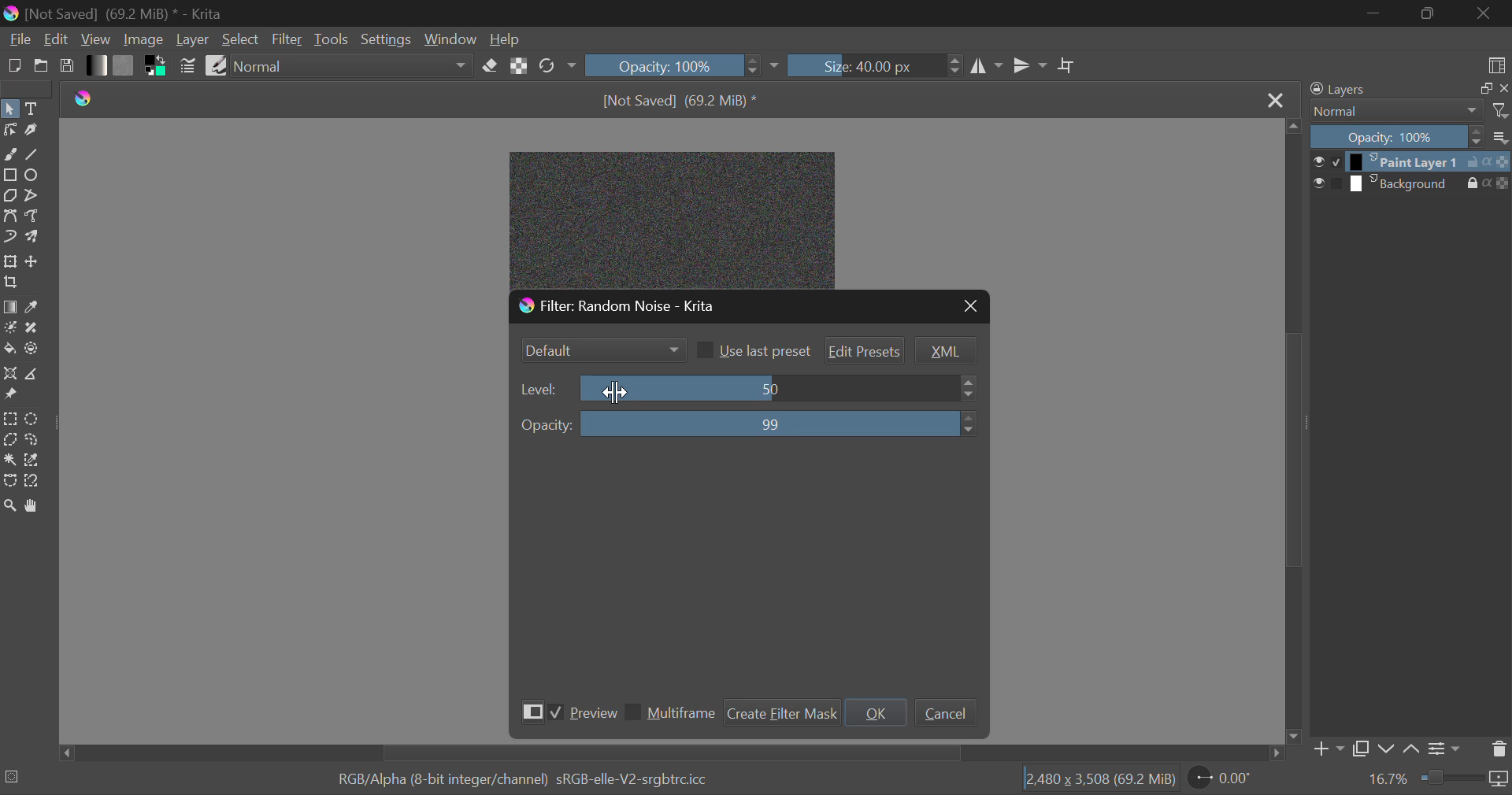  I want to click on Settings, so click(1443, 748).